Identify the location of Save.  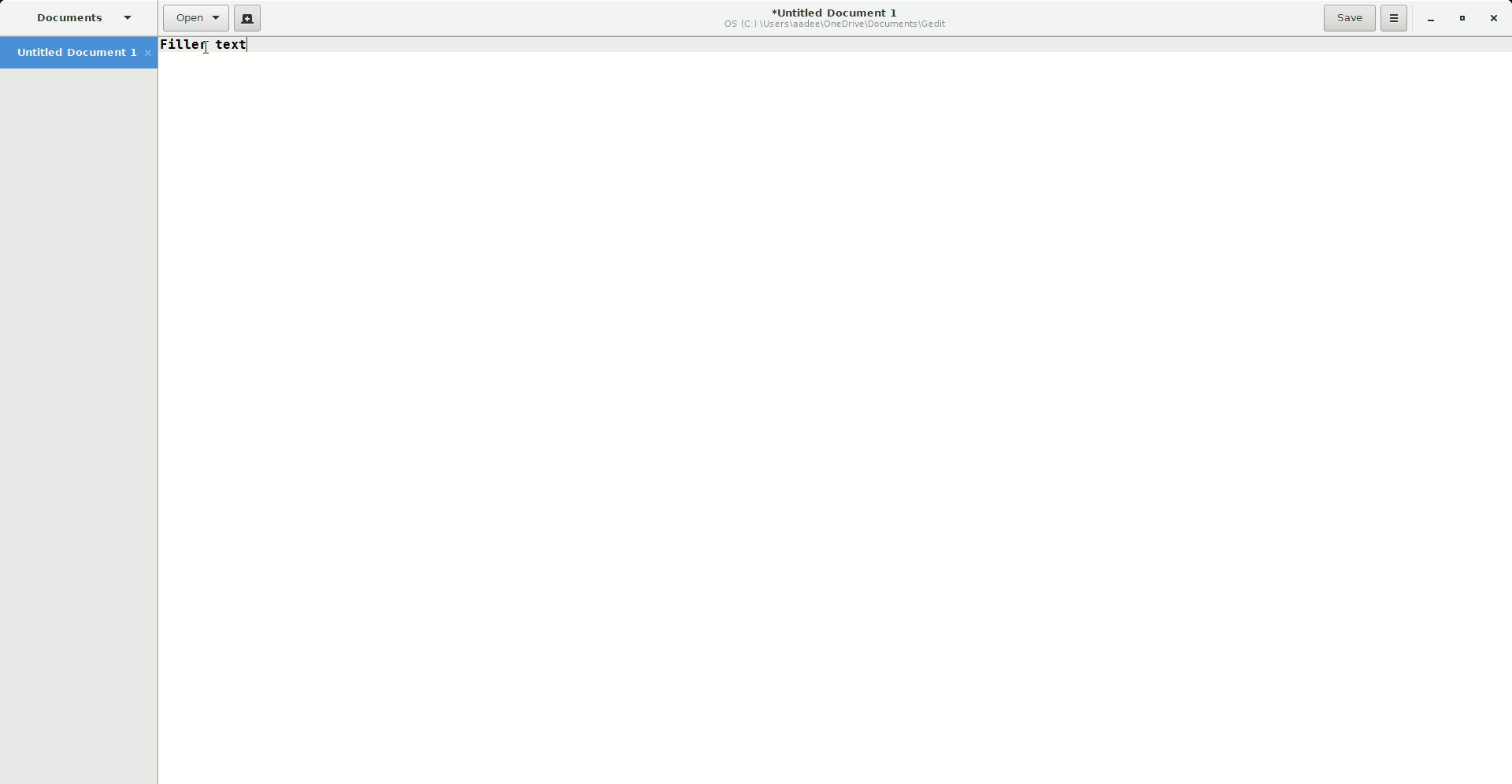
(1350, 17).